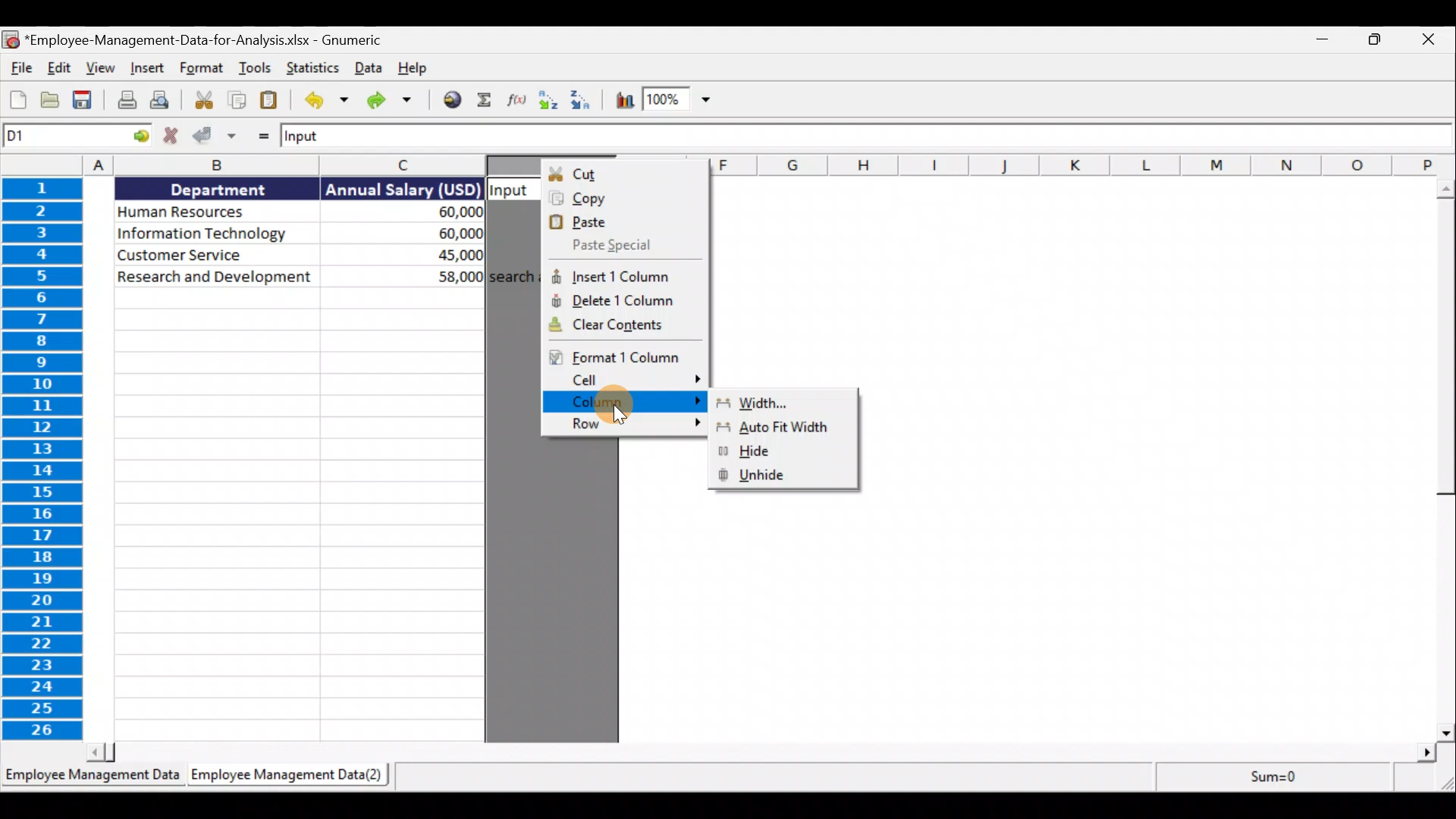  I want to click on Row, so click(623, 425).